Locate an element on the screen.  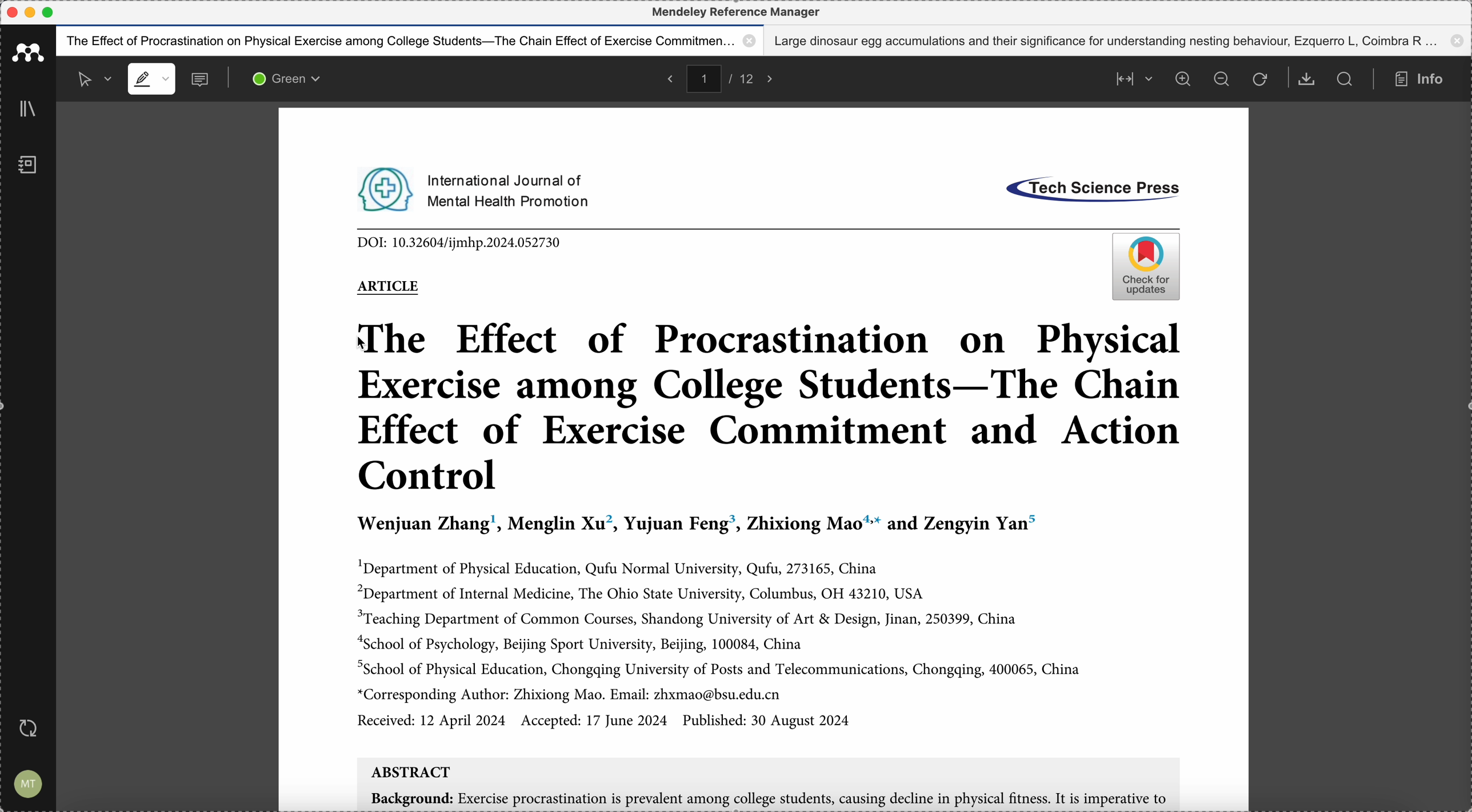
green color is located at coordinates (289, 81).